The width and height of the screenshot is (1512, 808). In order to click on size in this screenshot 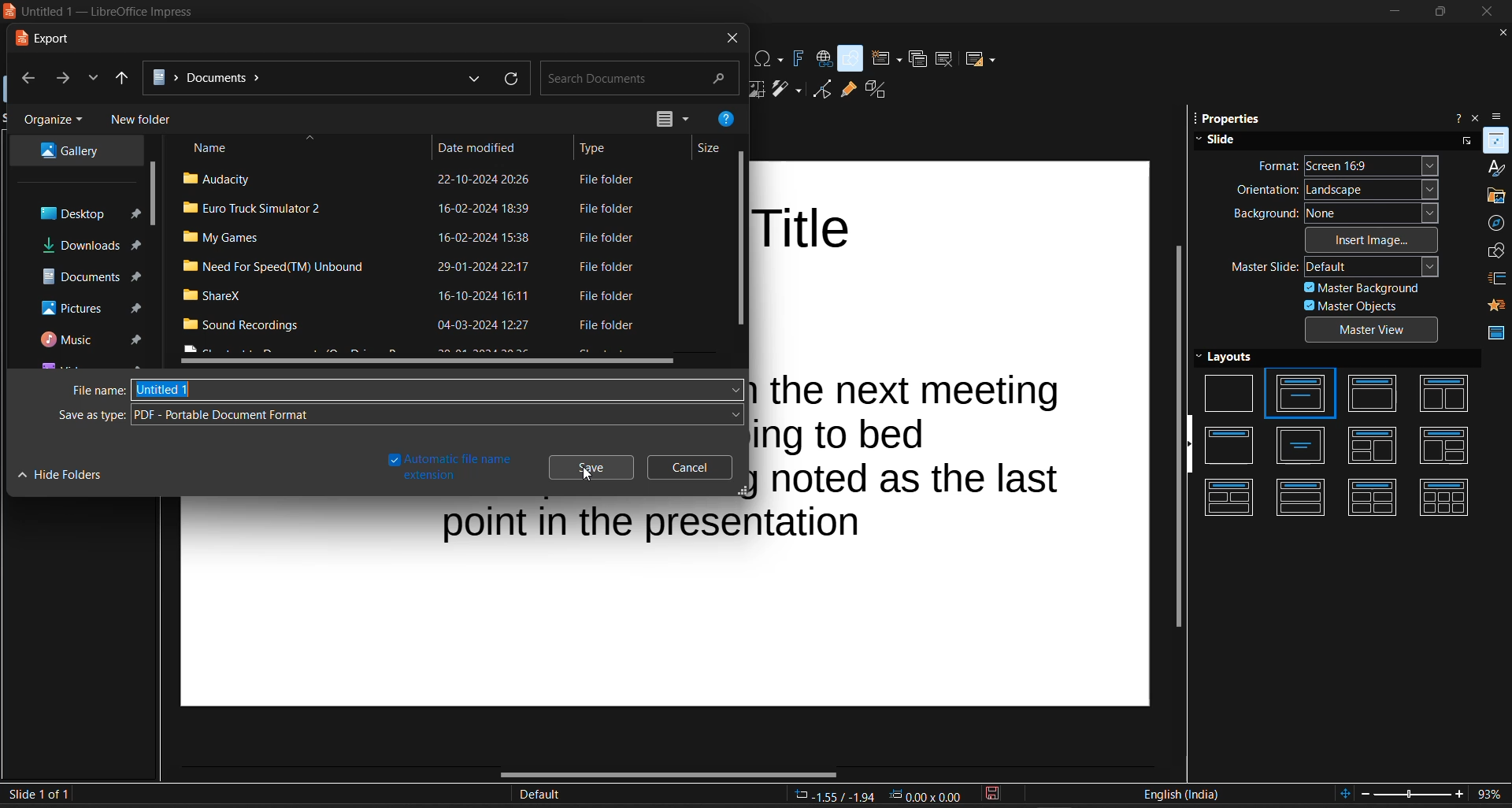, I will do `click(708, 148)`.